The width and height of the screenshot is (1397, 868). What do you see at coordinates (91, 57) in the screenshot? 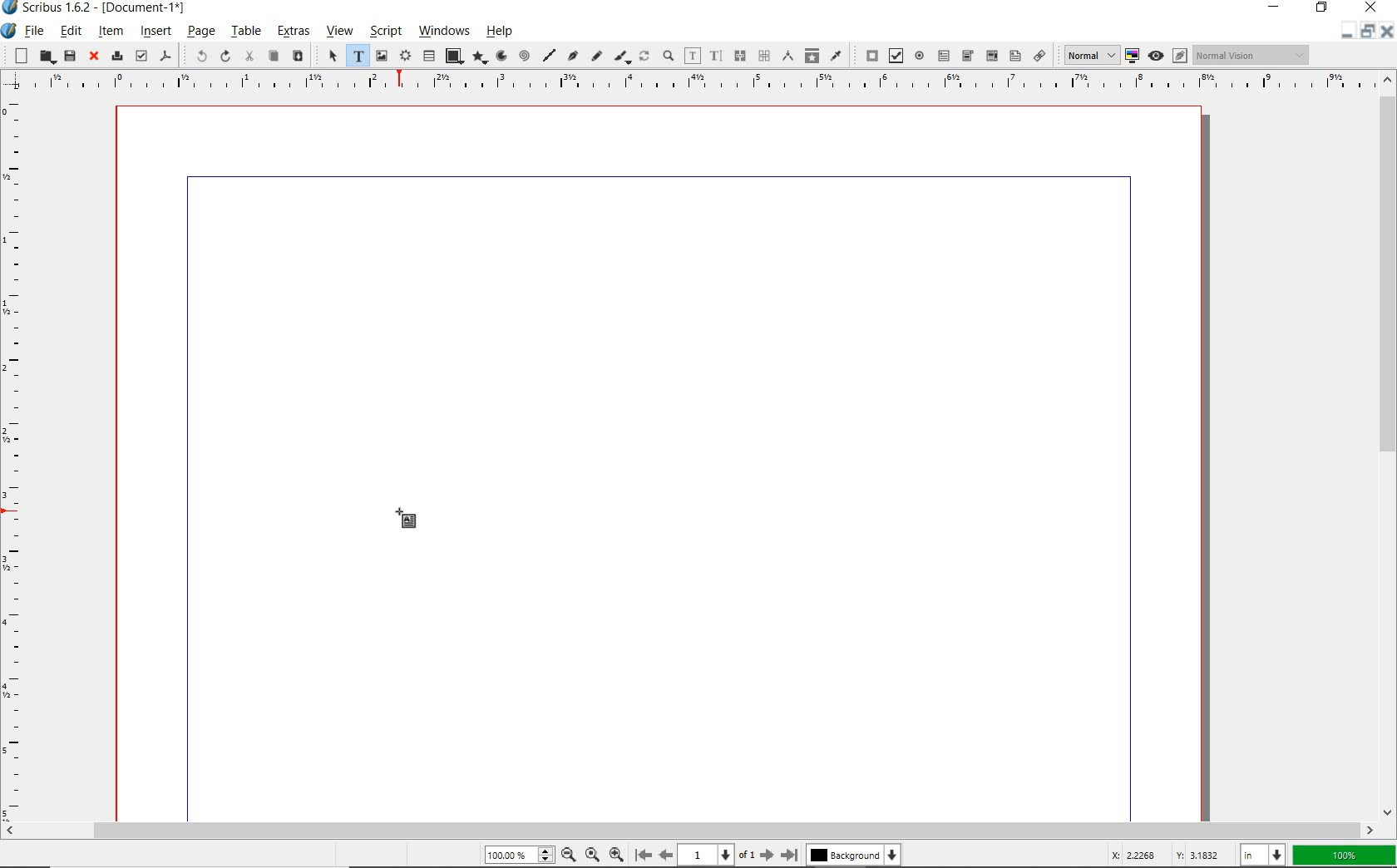
I see `close` at bounding box center [91, 57].